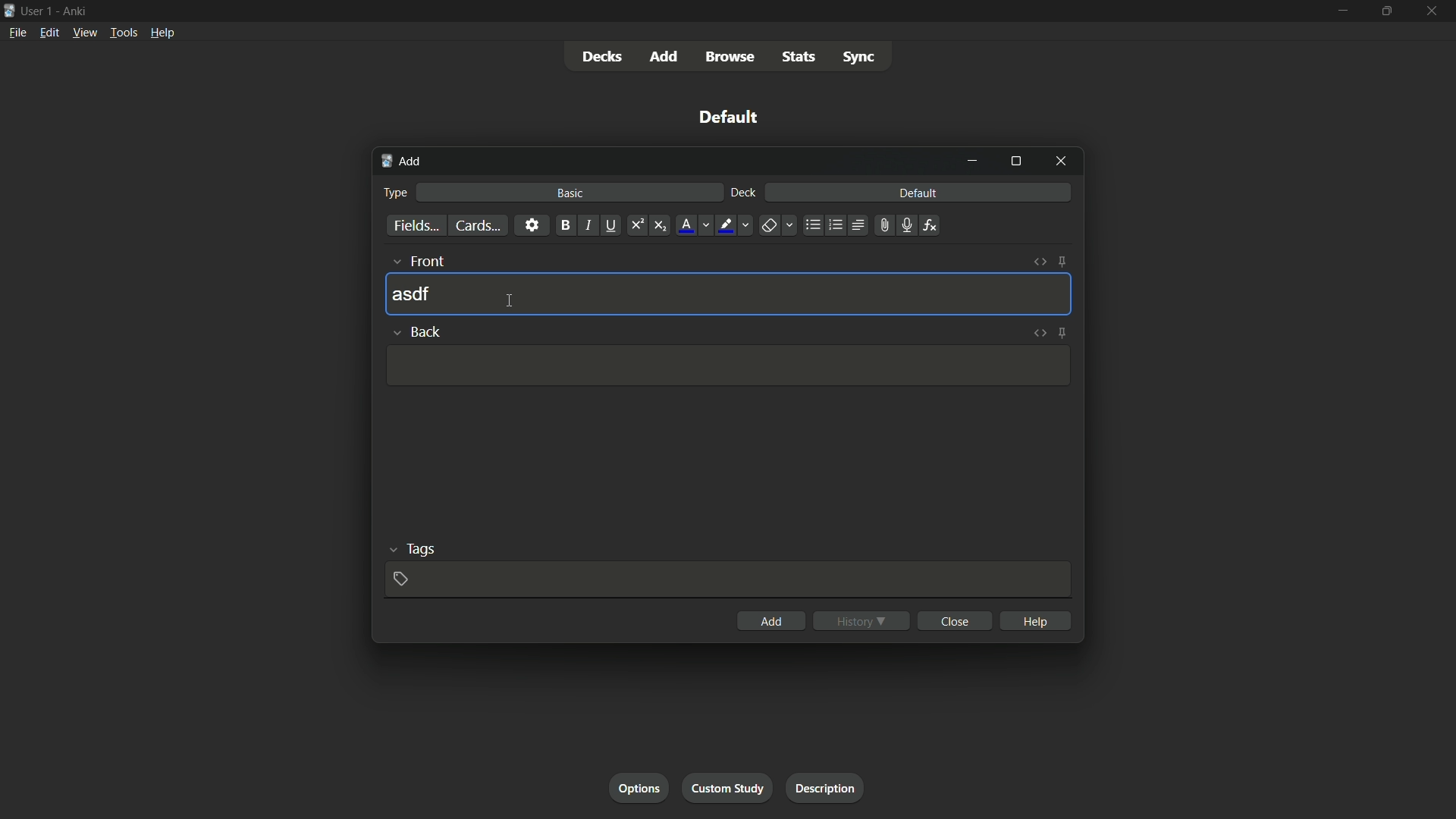 The image size is (1456, 819). Describe the element at coordinates (665, 55) in the screenshot. I see `add` at that location.